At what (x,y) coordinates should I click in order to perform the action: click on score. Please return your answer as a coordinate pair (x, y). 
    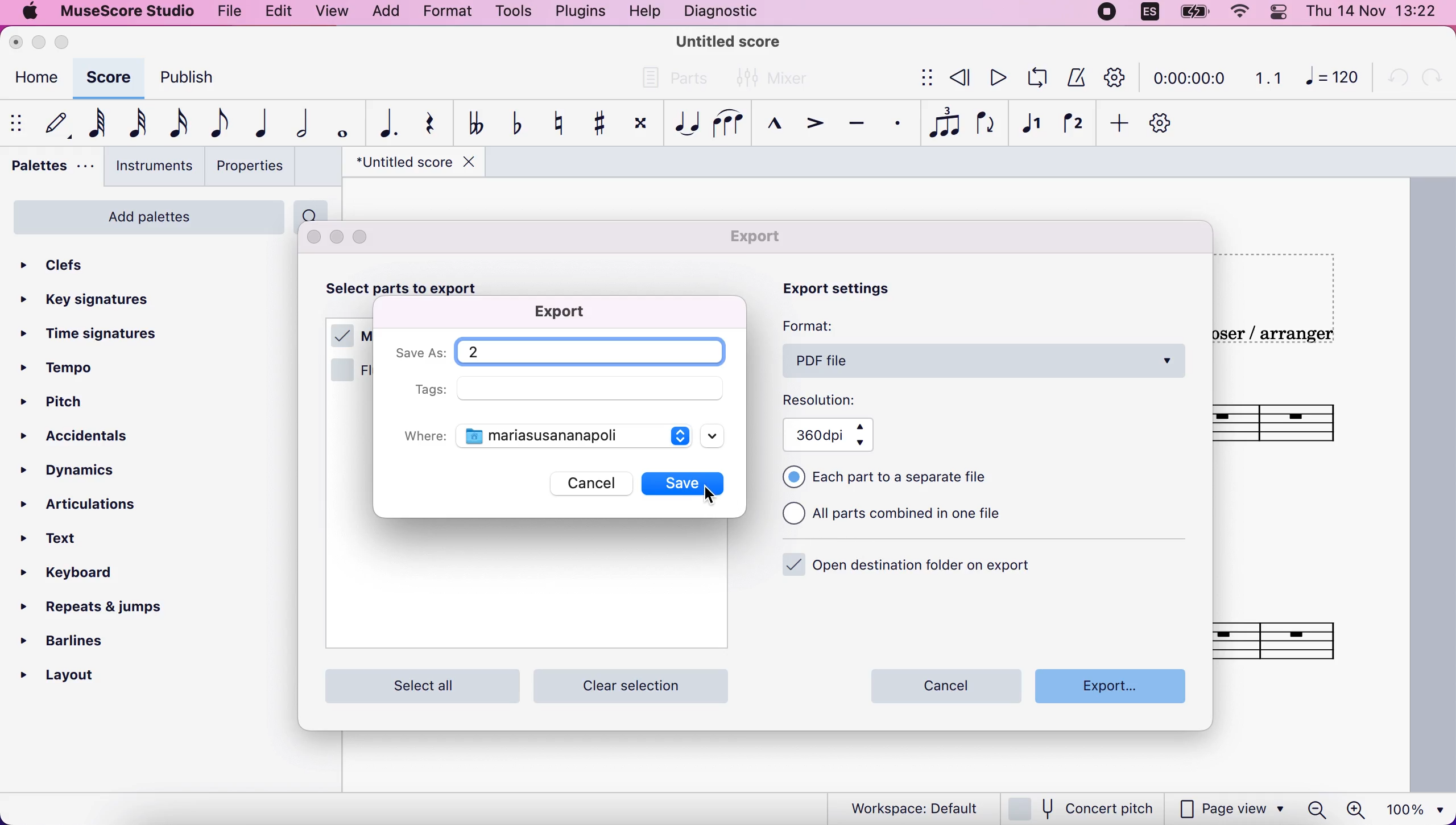
    Looking at the image, I should click on (108, 79).